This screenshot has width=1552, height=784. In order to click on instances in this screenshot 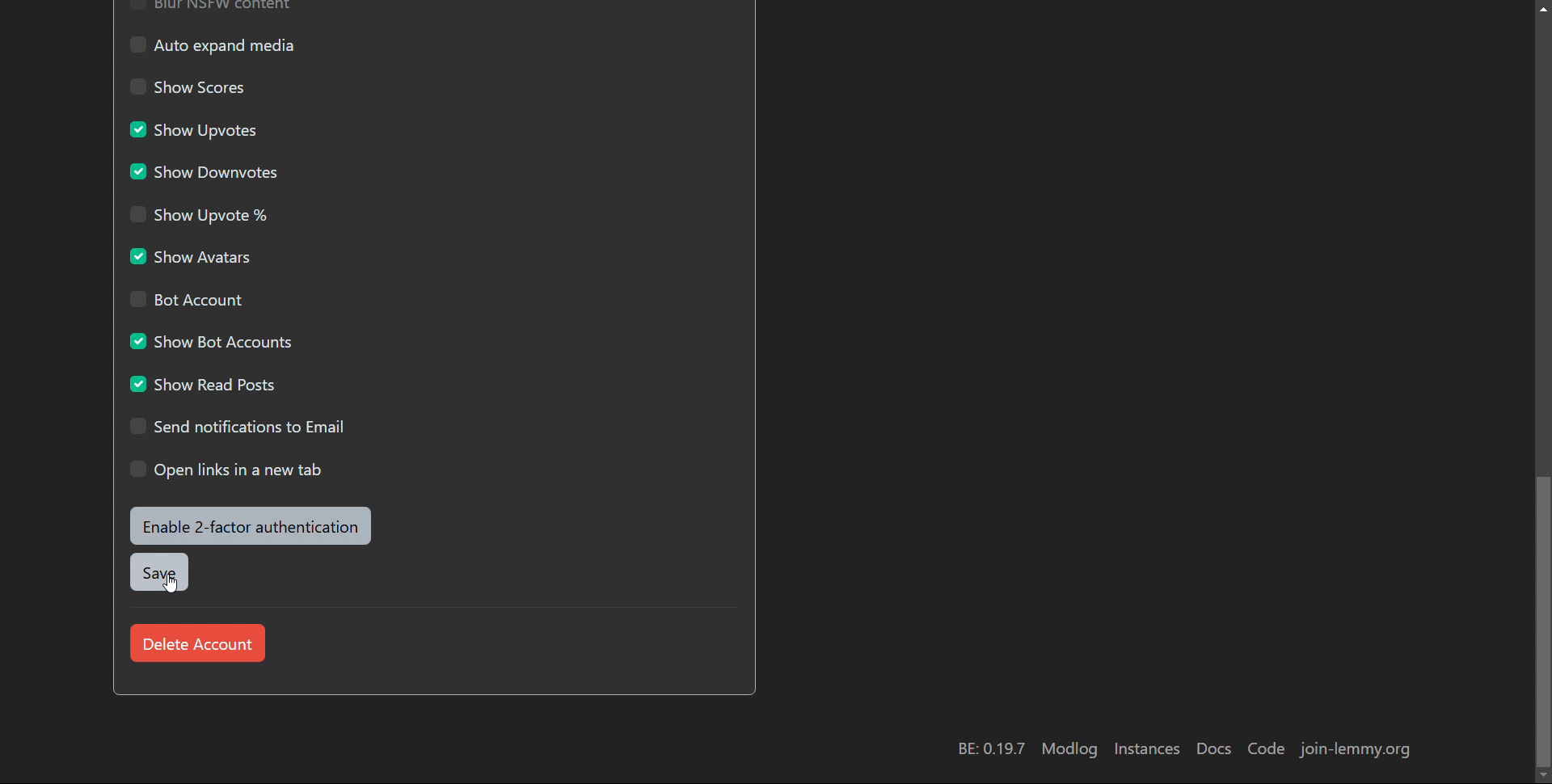, I will do `click(1148, 749)`.